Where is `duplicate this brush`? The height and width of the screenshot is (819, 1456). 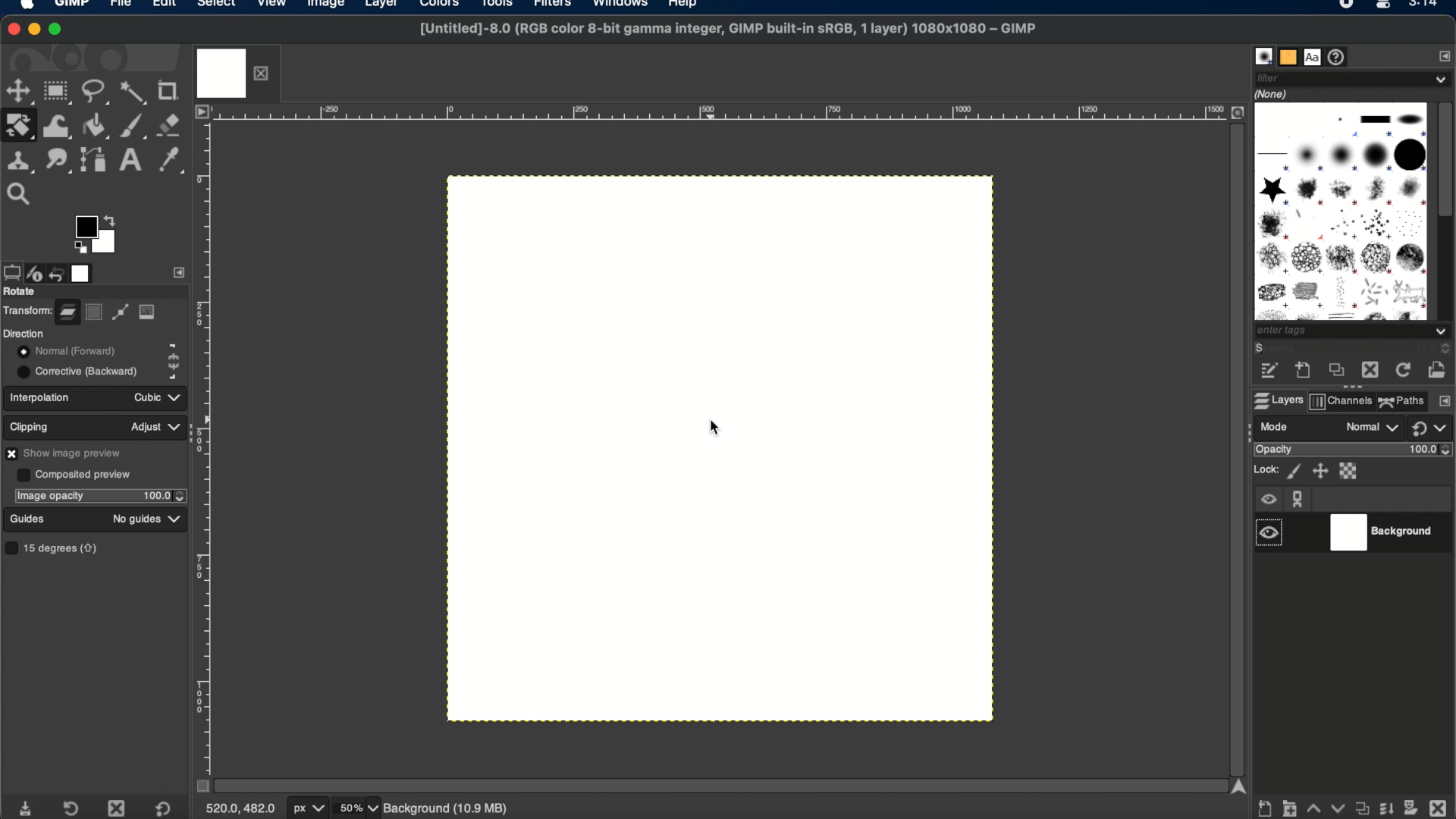
duplicate this brush is located at coordinates (1334, 372).